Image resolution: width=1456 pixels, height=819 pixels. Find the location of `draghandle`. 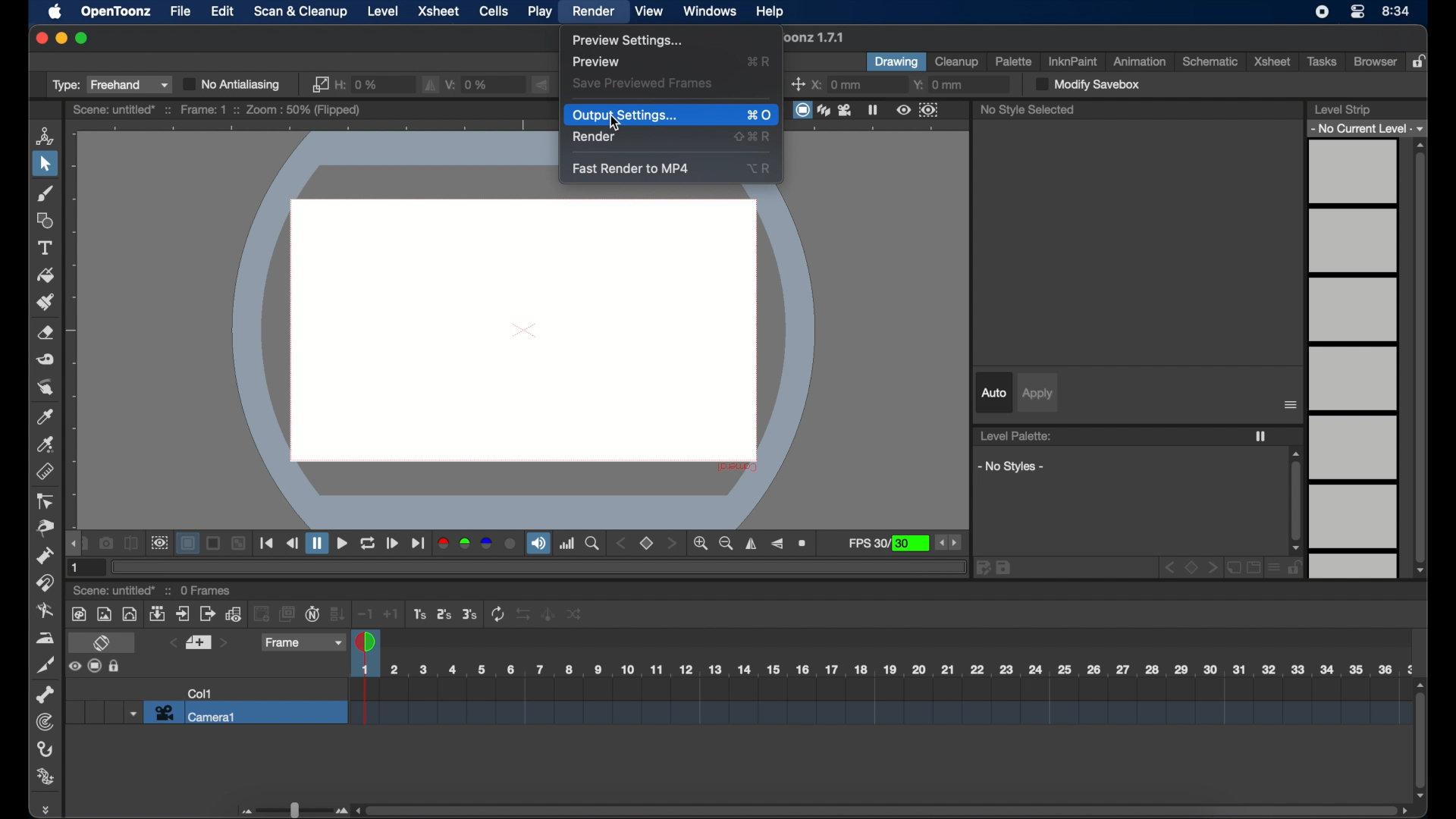

draghandle is located at coordinates (74, 544).